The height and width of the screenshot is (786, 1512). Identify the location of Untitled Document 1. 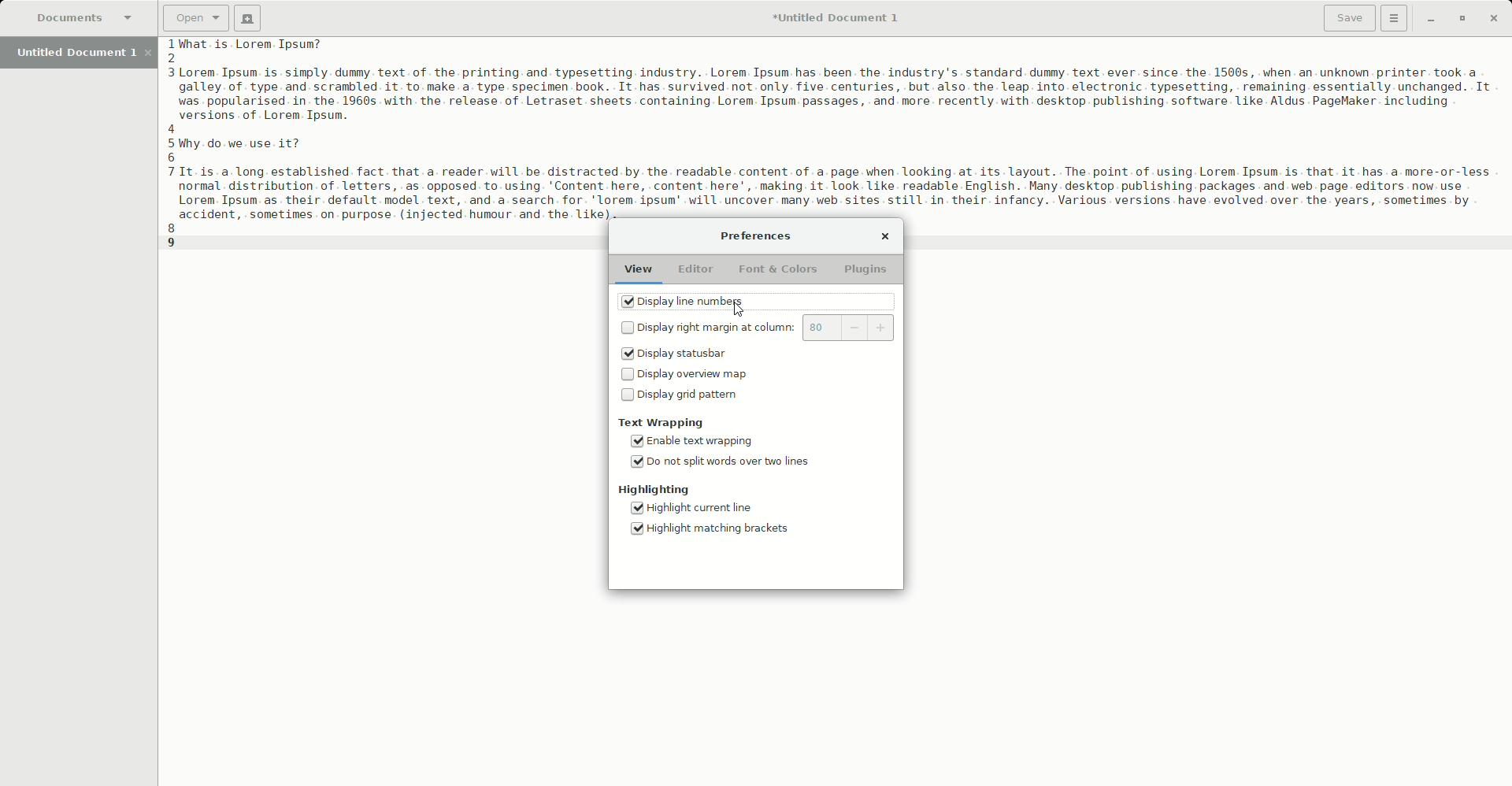
(82, 54).